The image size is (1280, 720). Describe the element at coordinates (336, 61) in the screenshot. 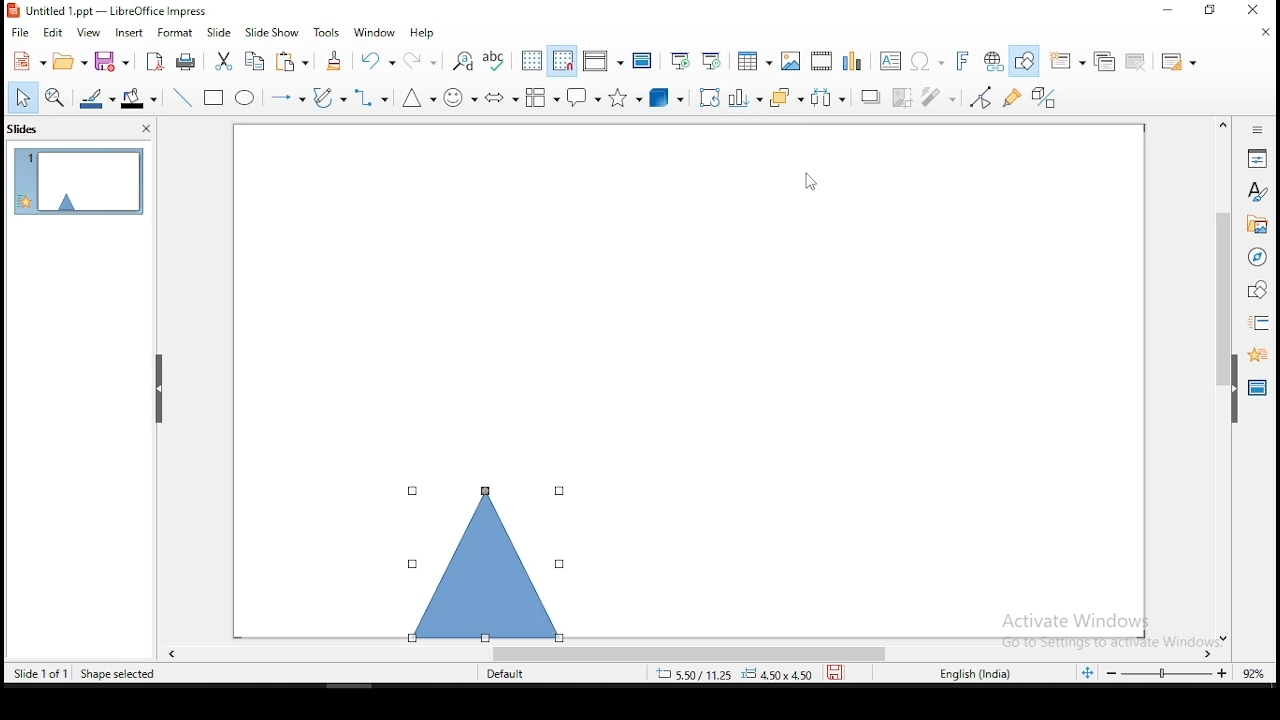

I see `paste` at that location.